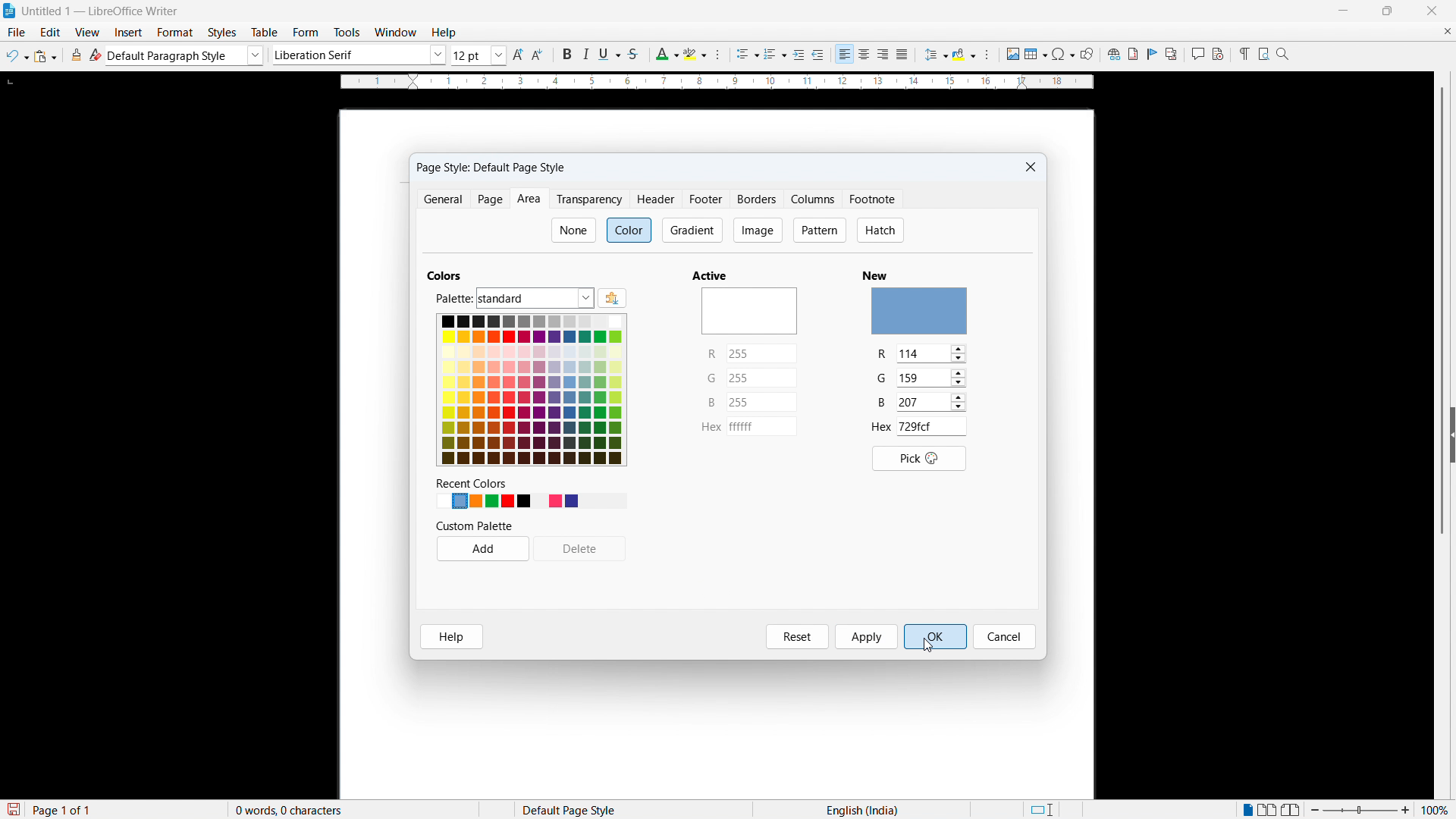  Describe the element at coordinates (1062, 53) in the screenshot. I see `Add symbol ` at that location.